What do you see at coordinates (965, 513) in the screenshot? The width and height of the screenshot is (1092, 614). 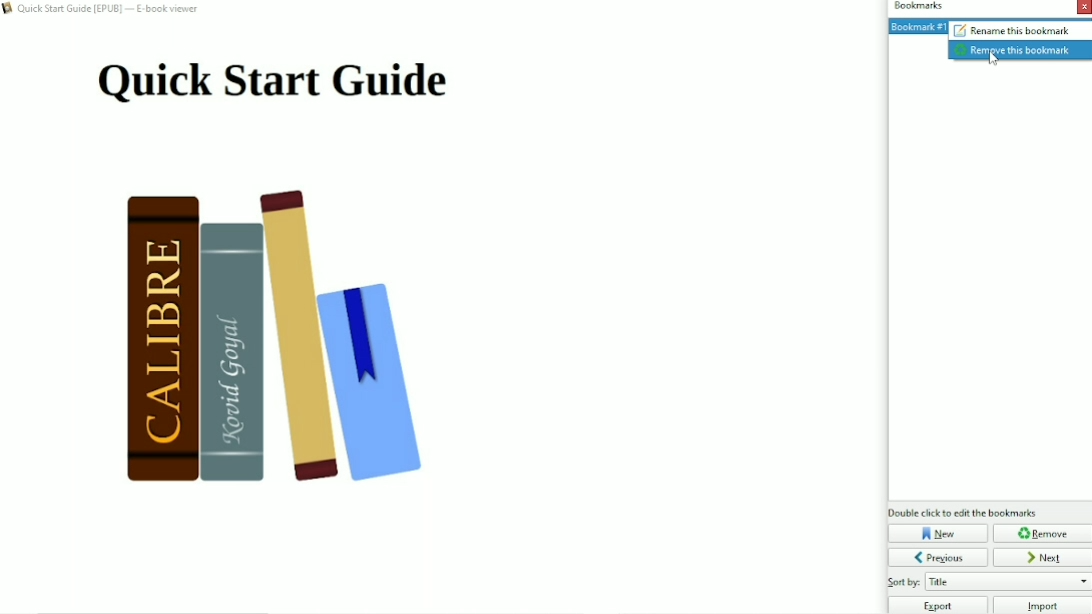 I see `Double click to edit bookmarks.` at bounding box center [965, 513].